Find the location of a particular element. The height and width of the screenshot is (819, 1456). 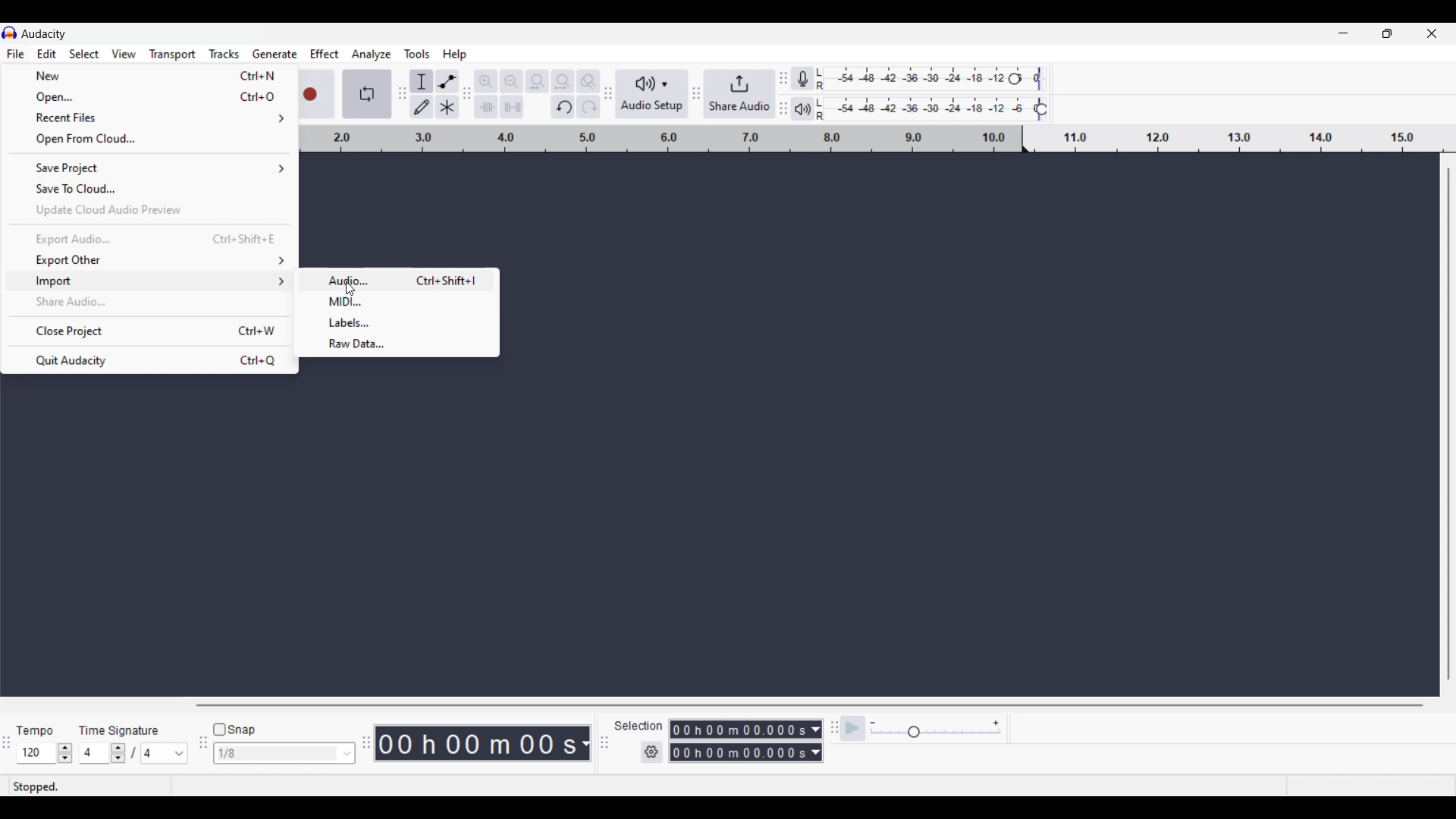

Raw data is located at coordinates (398, 345).